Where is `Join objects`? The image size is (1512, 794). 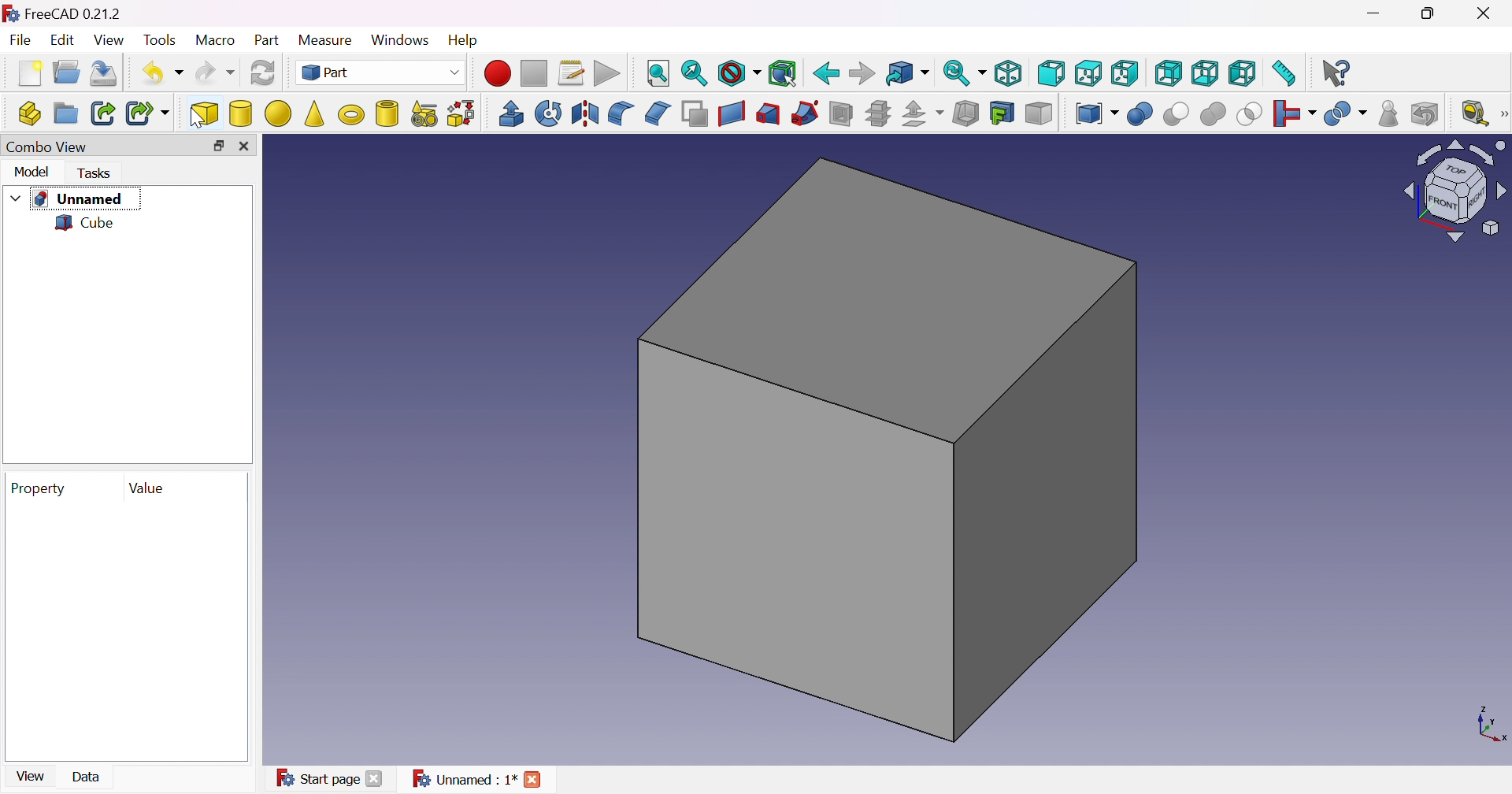
Join objects is located at coordinates (1293, 114).